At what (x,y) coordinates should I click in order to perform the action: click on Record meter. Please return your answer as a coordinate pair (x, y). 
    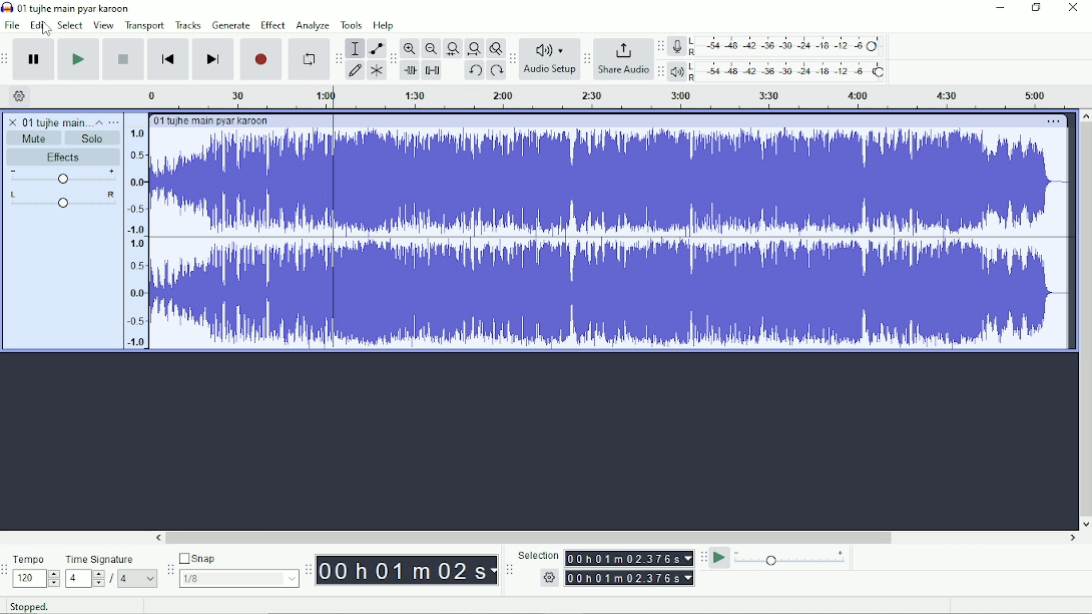
    Looking at the image, I should click on (779, 47).